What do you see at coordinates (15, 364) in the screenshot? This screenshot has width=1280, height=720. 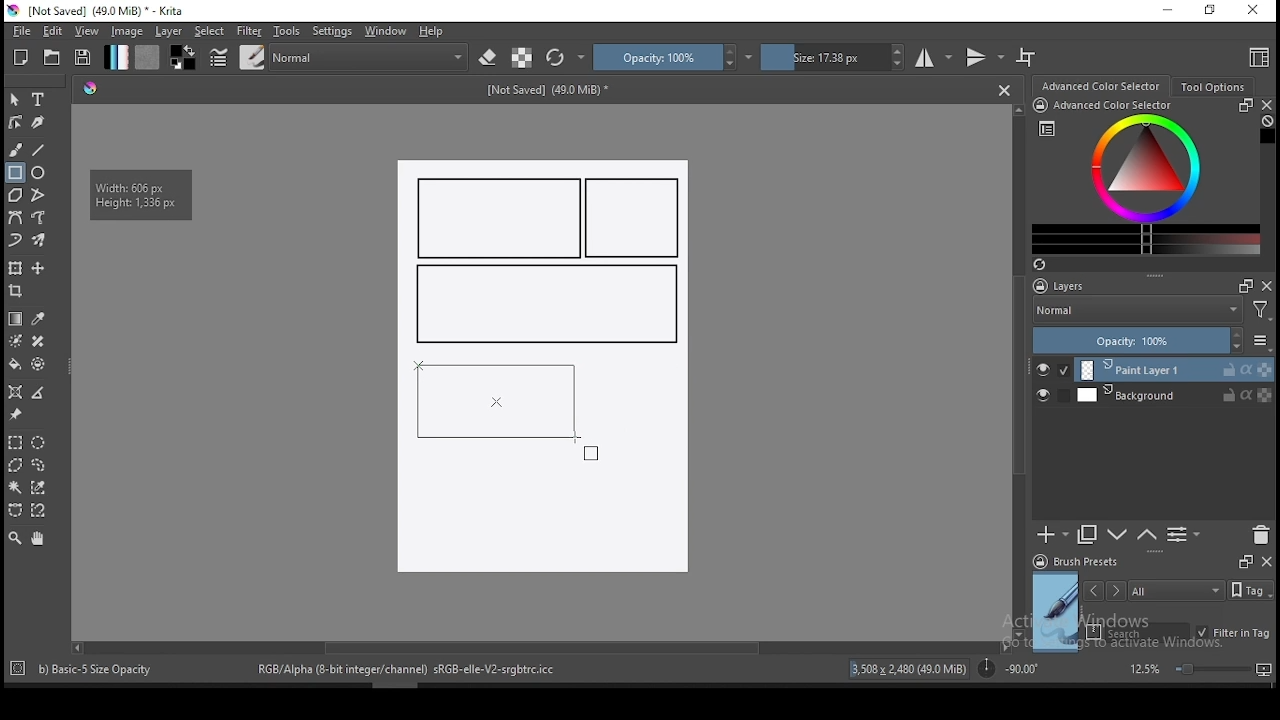 I see `paint bucket tool` at bounding box center [15, 364].